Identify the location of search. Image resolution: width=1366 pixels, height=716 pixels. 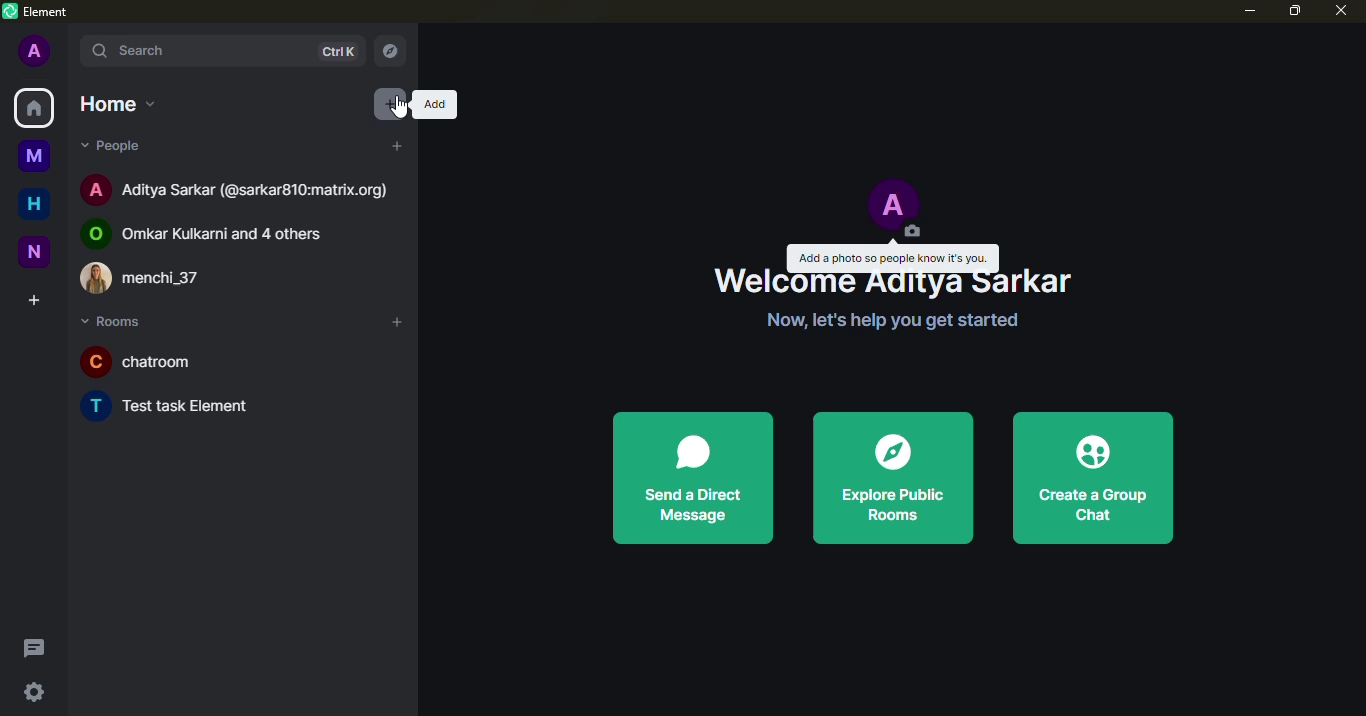
(145, 51).